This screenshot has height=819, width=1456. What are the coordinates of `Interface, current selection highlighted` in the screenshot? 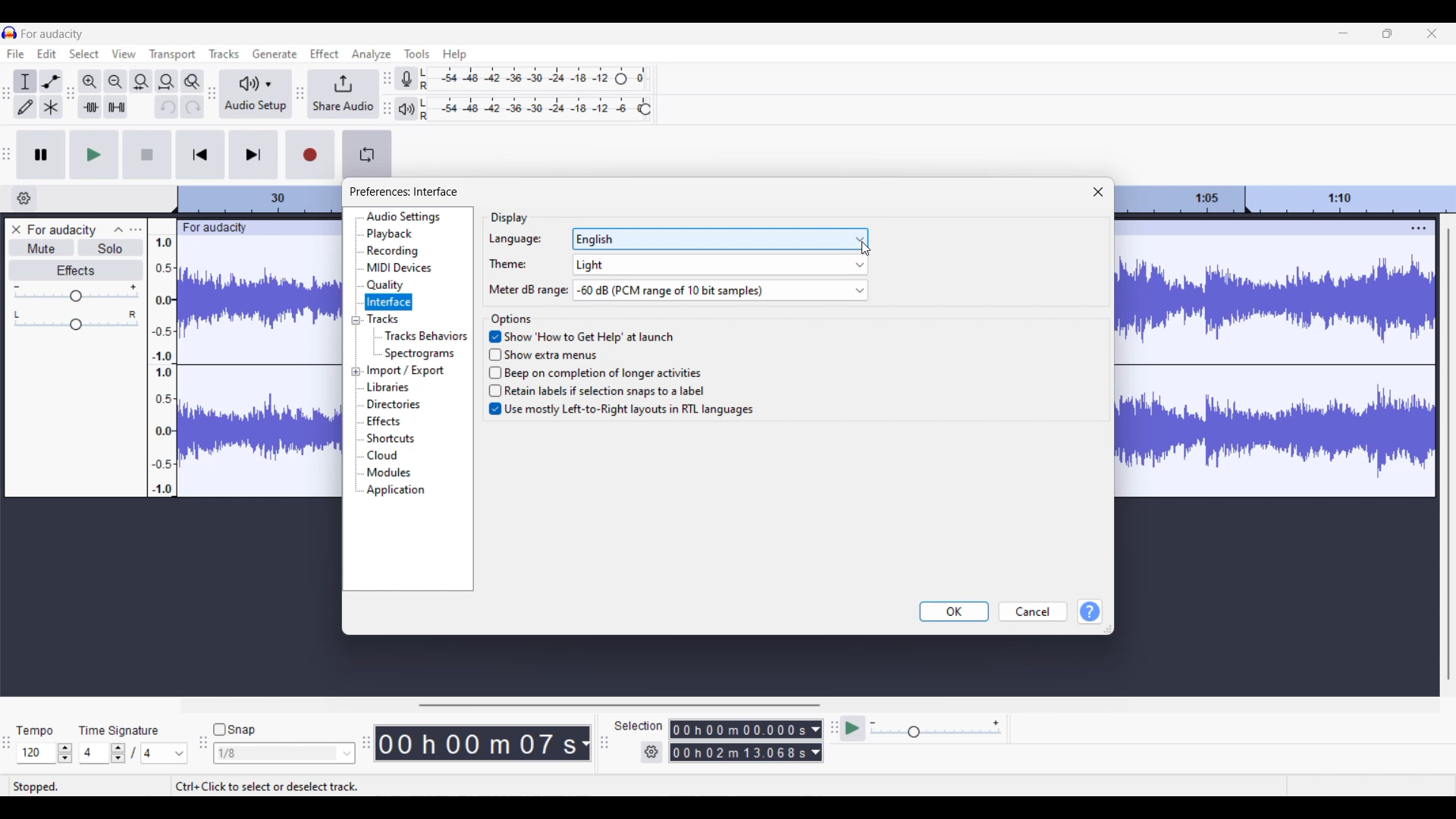 It's located at (388, 302).